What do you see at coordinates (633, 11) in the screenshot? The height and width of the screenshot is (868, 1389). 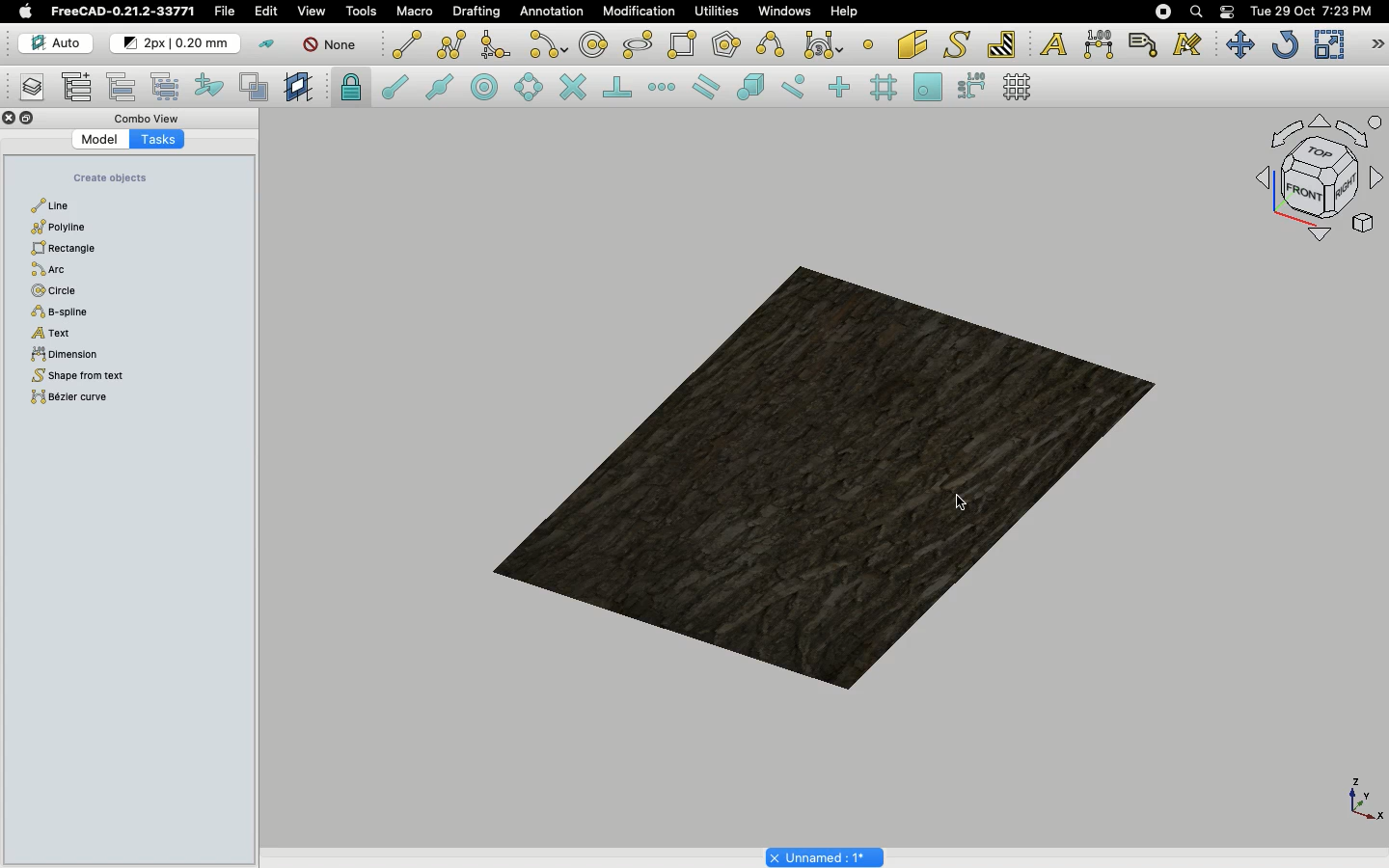 I see `Modification` at bounding box center [633, 11].